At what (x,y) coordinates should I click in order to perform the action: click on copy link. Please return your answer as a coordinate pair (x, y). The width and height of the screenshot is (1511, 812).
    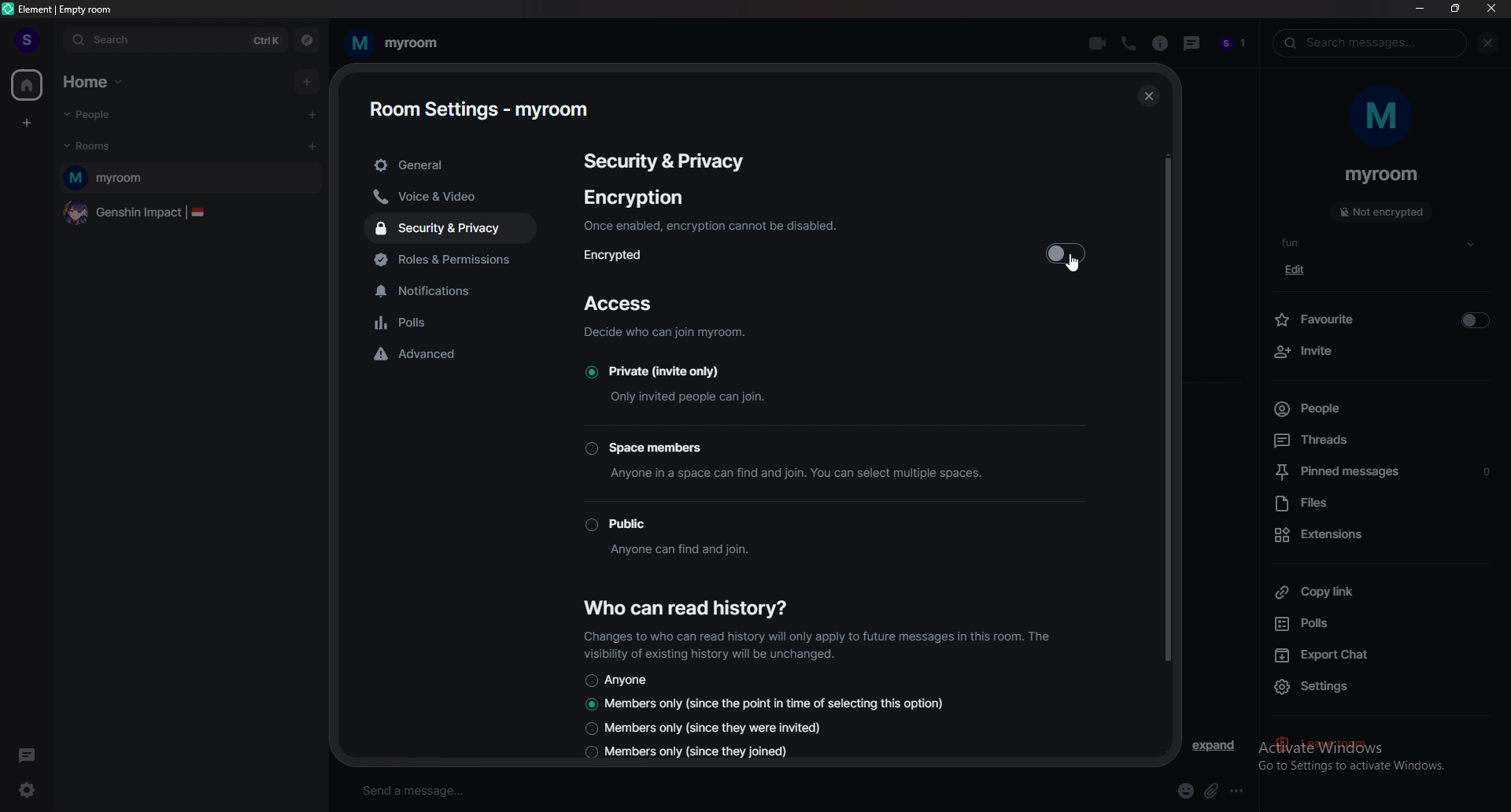
    Looking at the image, I should click on (1377, 592).